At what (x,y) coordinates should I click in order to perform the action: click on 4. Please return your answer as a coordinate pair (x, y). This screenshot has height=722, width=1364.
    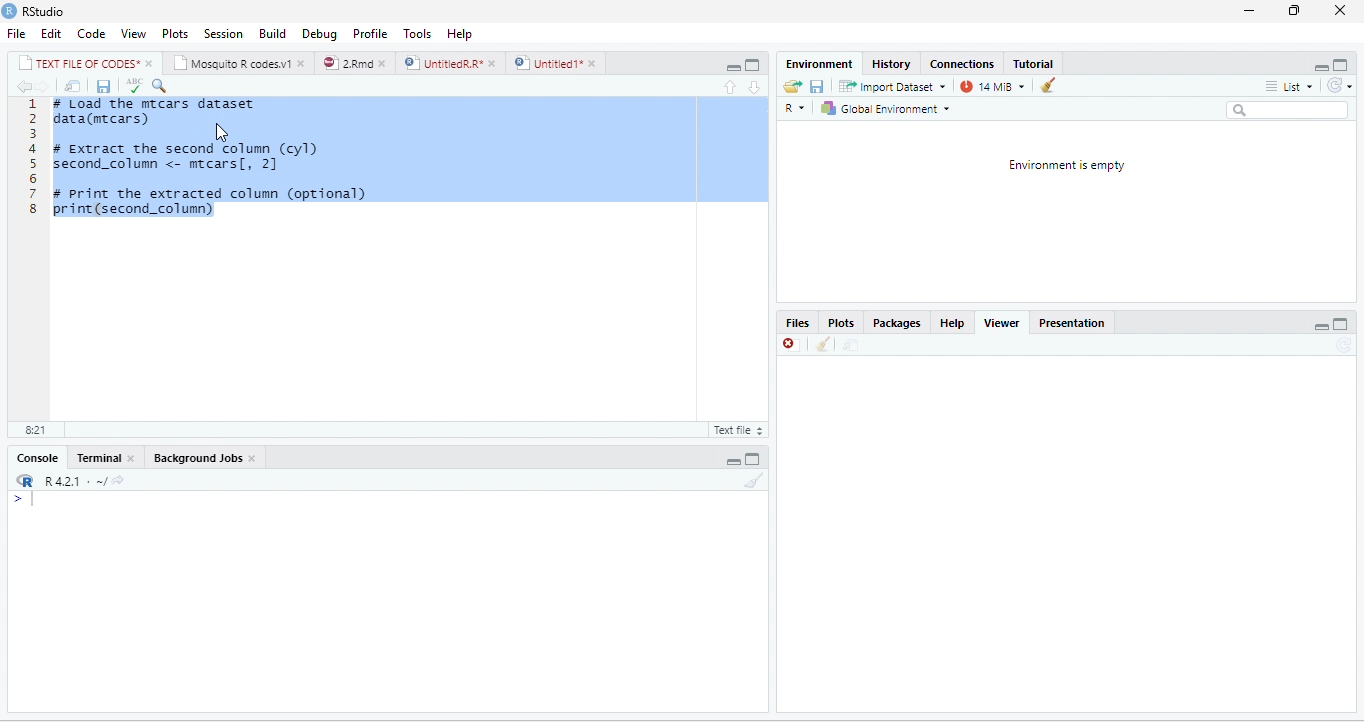
    Looking at the image, I should click on (32, 149).